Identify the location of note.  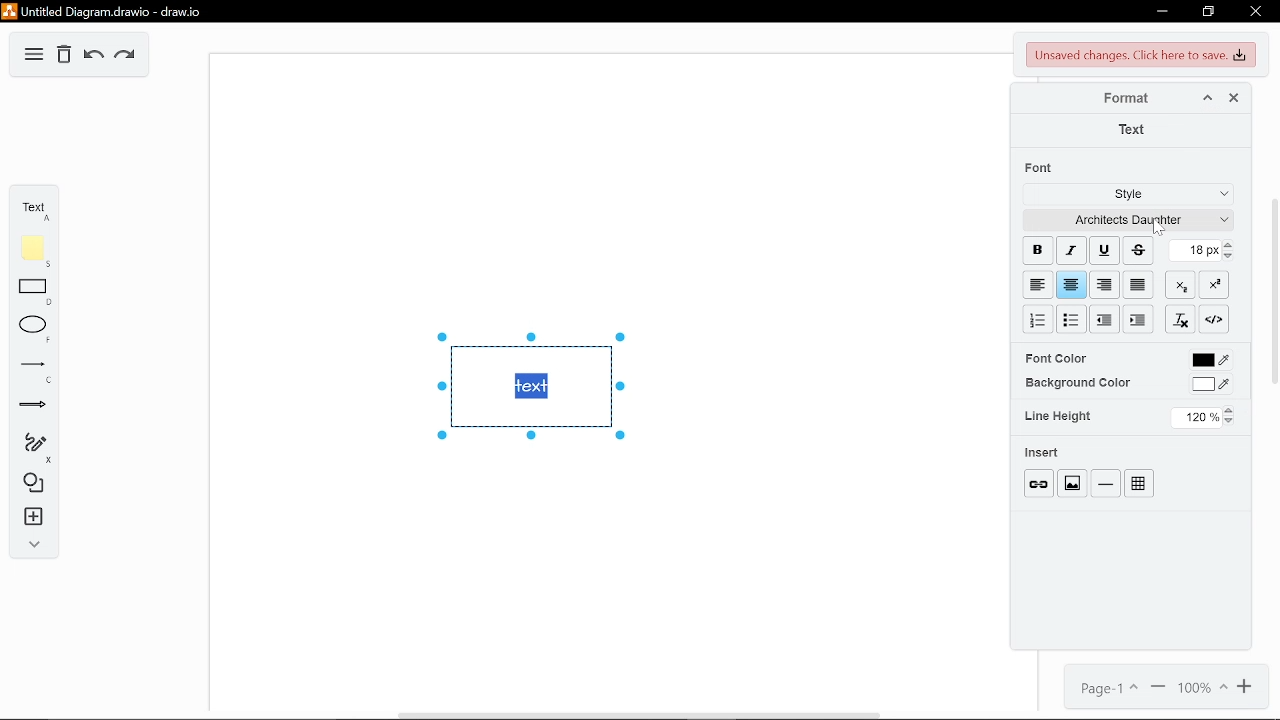
(29, 251).